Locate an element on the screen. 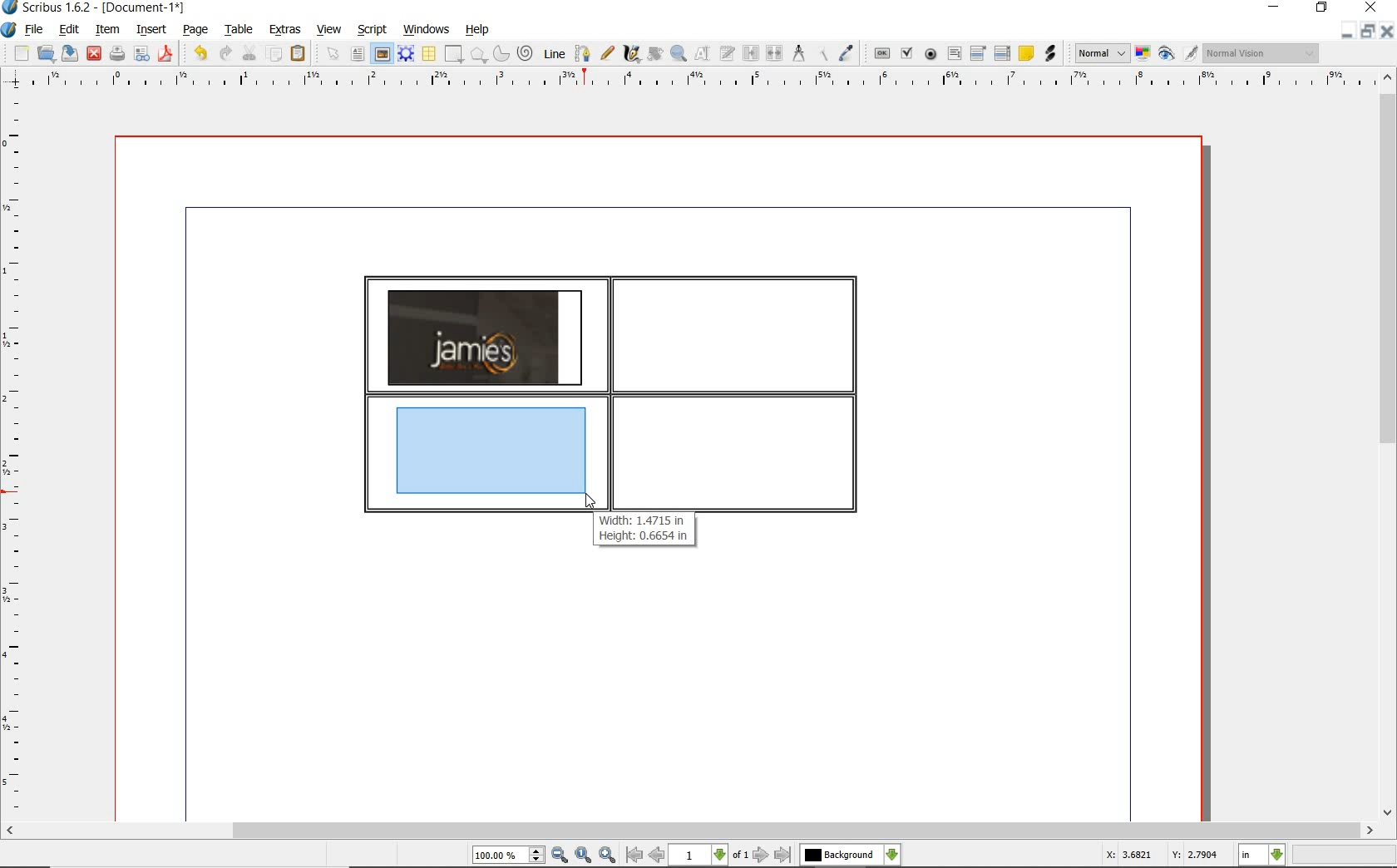  scrollbar is located at coordinates (1387, 446).